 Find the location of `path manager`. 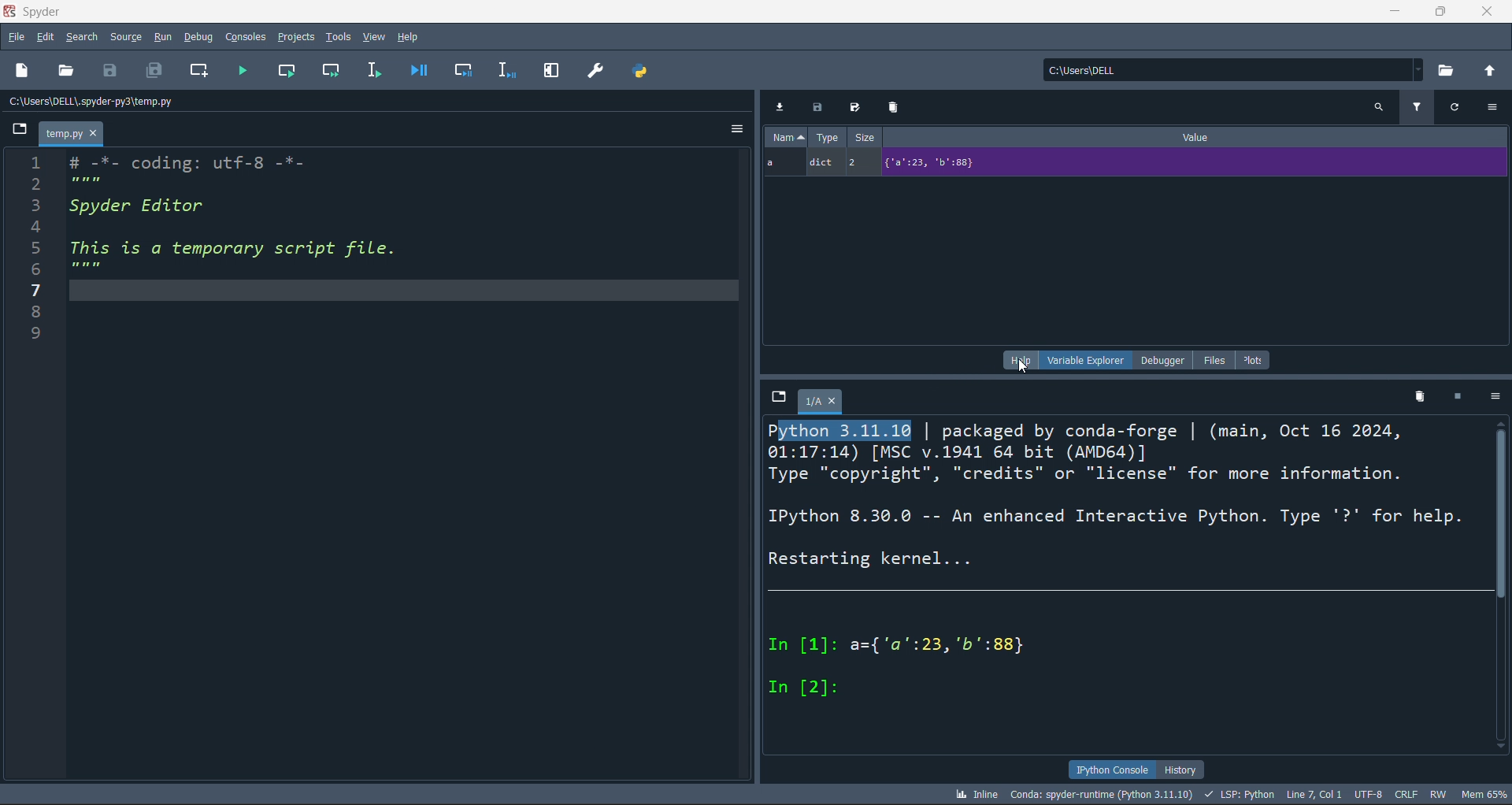

path manager is located at coordinates (640, 69).